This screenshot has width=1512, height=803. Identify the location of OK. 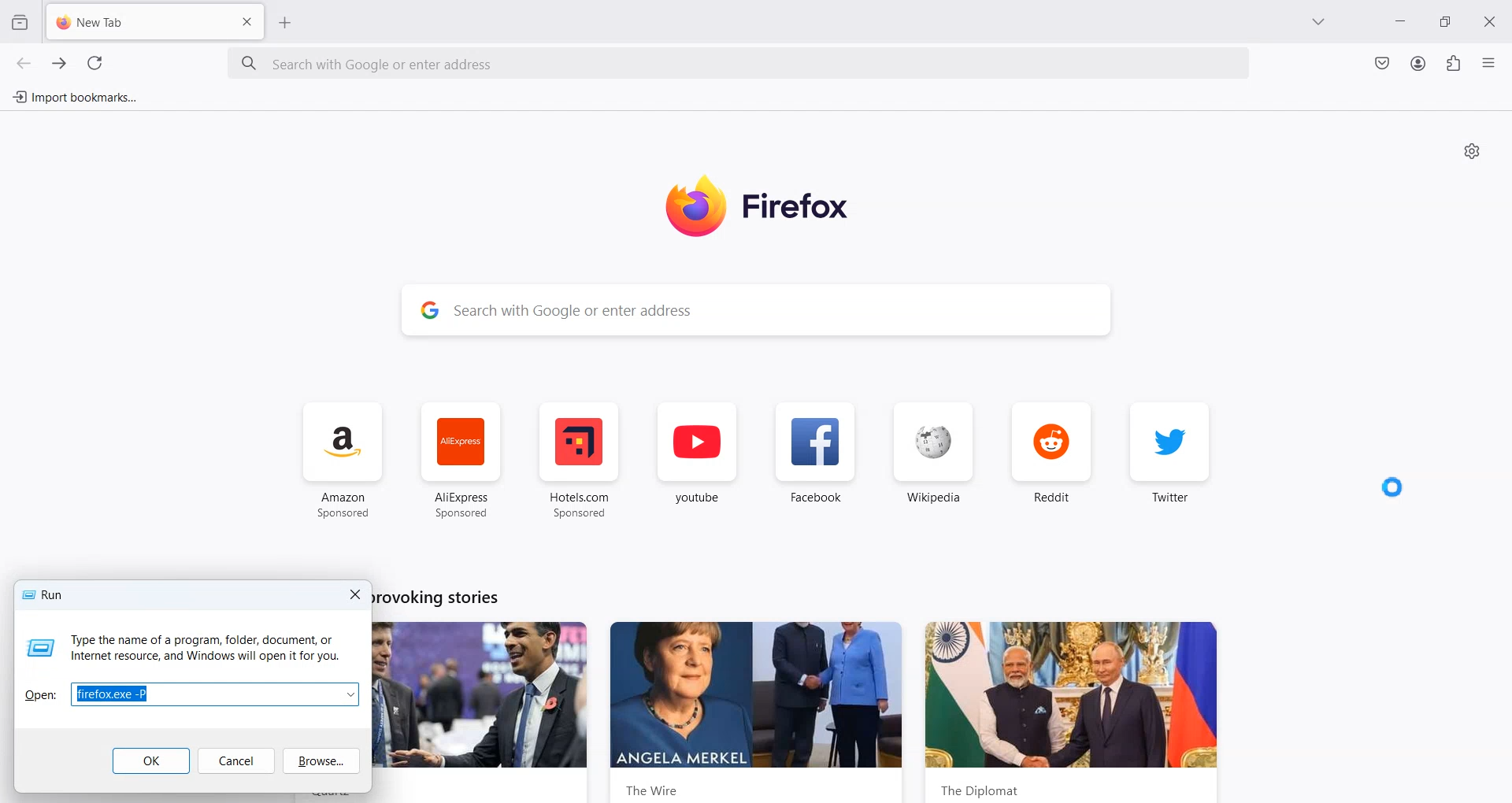
(150, 762).